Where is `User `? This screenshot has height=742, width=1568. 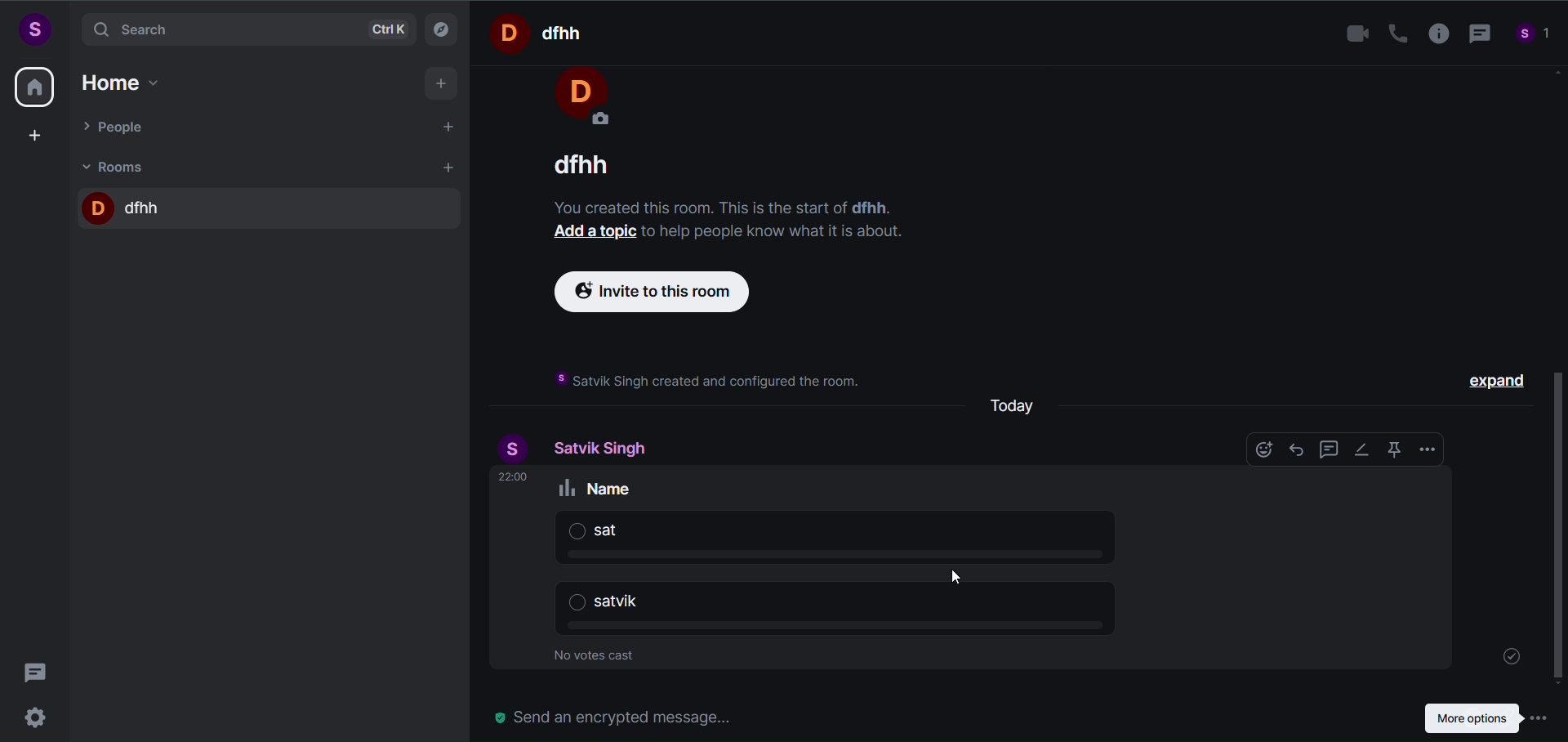 User  is located at coordinates (580, 98).